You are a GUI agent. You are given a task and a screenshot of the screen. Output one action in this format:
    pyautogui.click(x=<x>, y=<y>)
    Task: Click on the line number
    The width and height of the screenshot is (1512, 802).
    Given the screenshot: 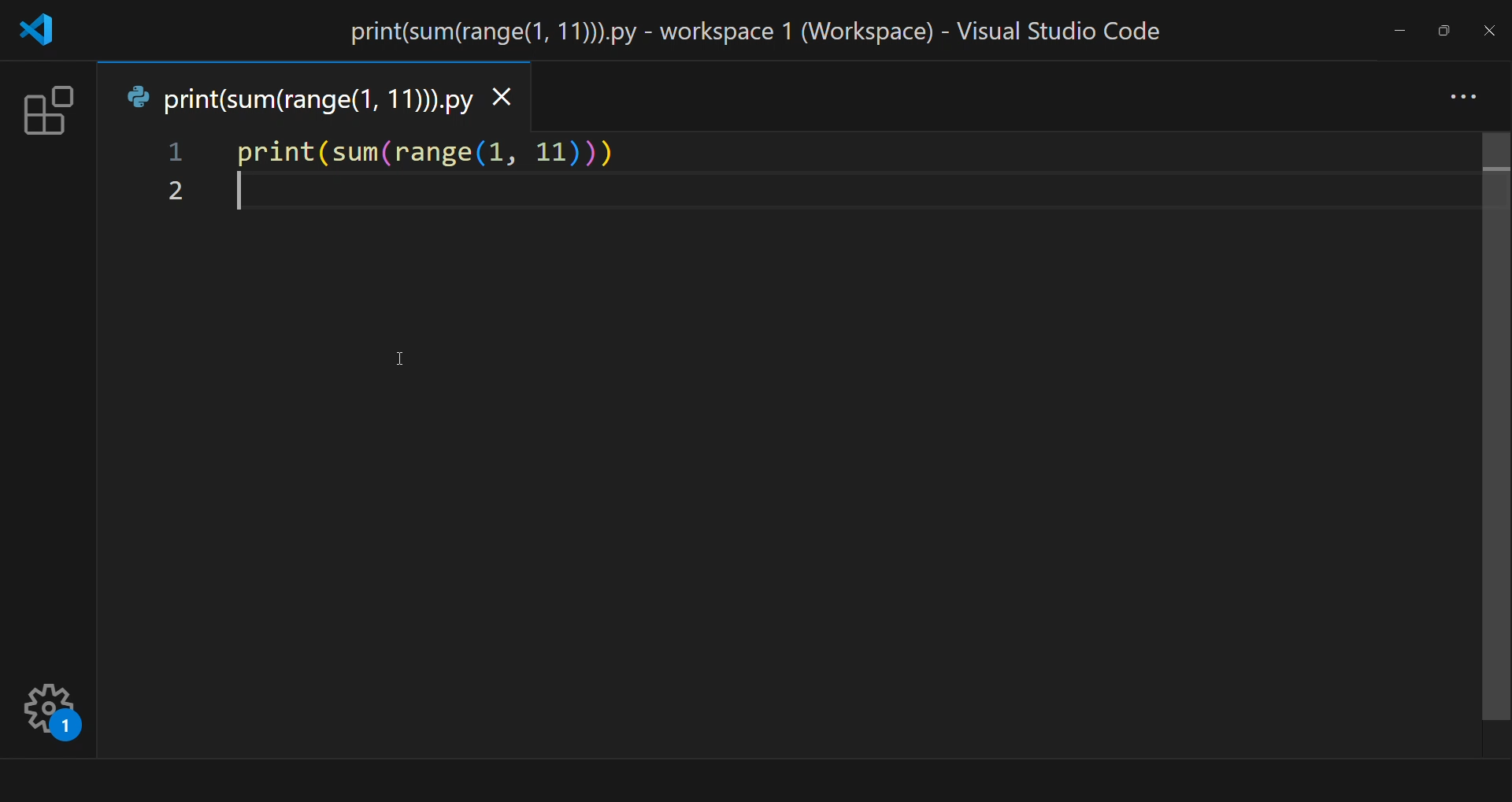 What is the action you would take?
    pyautogui.click(x=172, y=179)
    